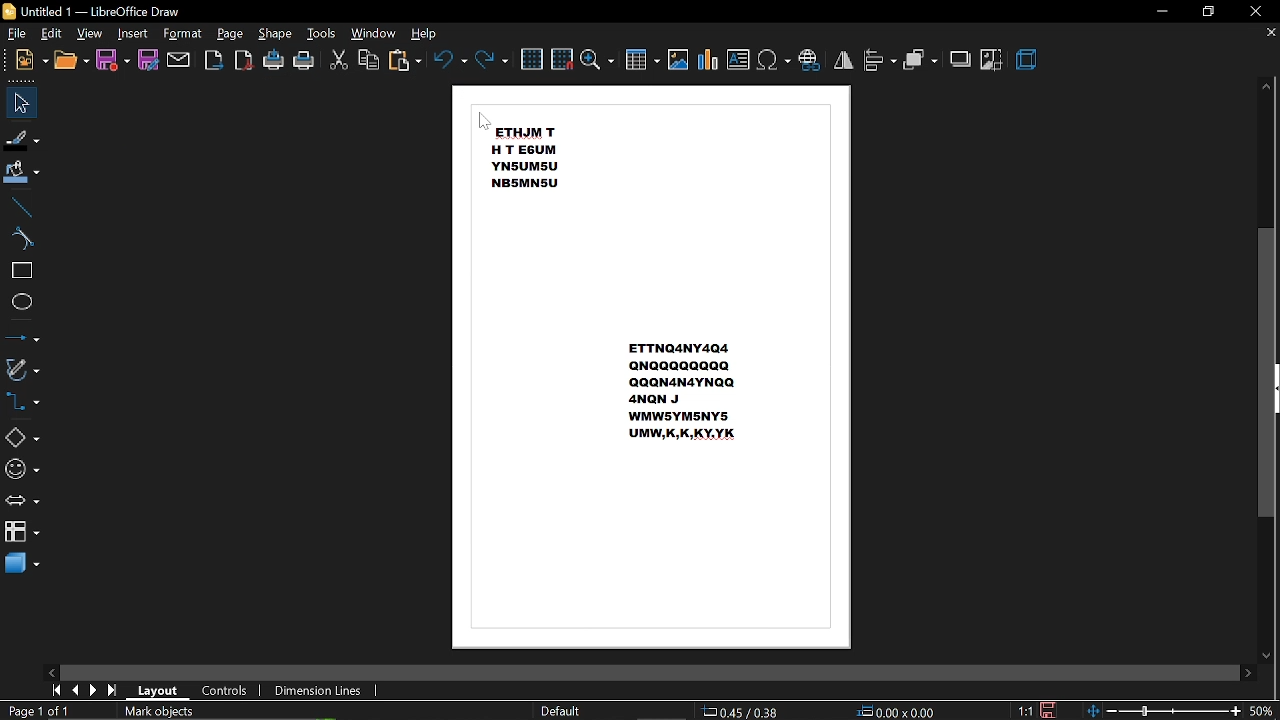 Image resolution: width=1280 pixels, height=720 pixels. What do you see at coordinates (403, 61) in the screenshot?
I see `paste` at bounding box center [403, 61].